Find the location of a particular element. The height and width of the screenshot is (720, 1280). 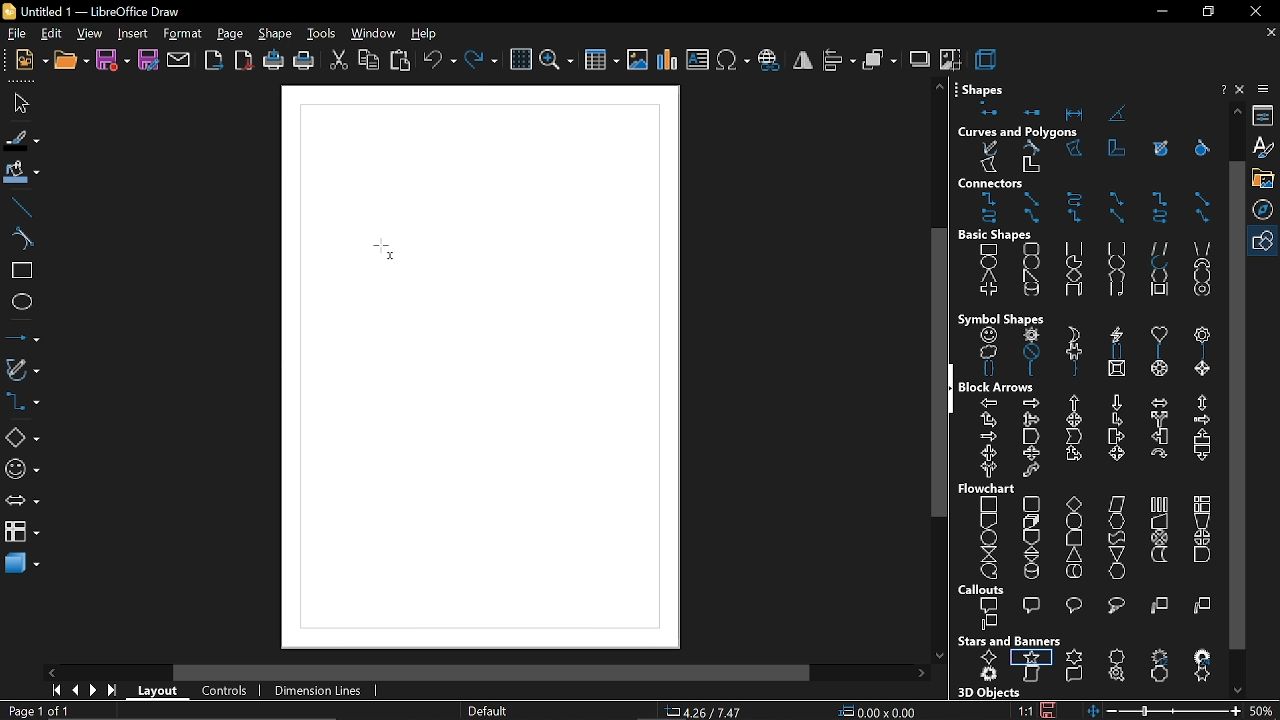

callouts is located at coordinates (983, 589).